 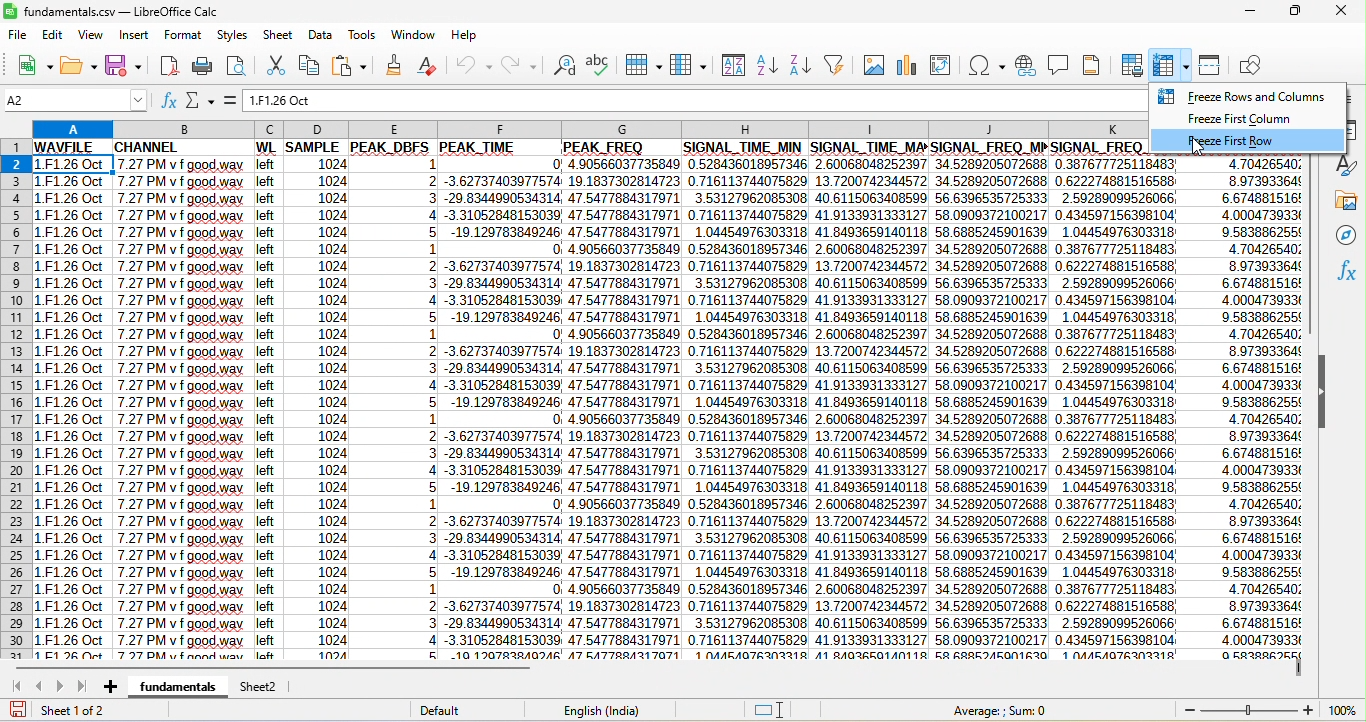 I want to click on comment, so click(x=1063, y=65).